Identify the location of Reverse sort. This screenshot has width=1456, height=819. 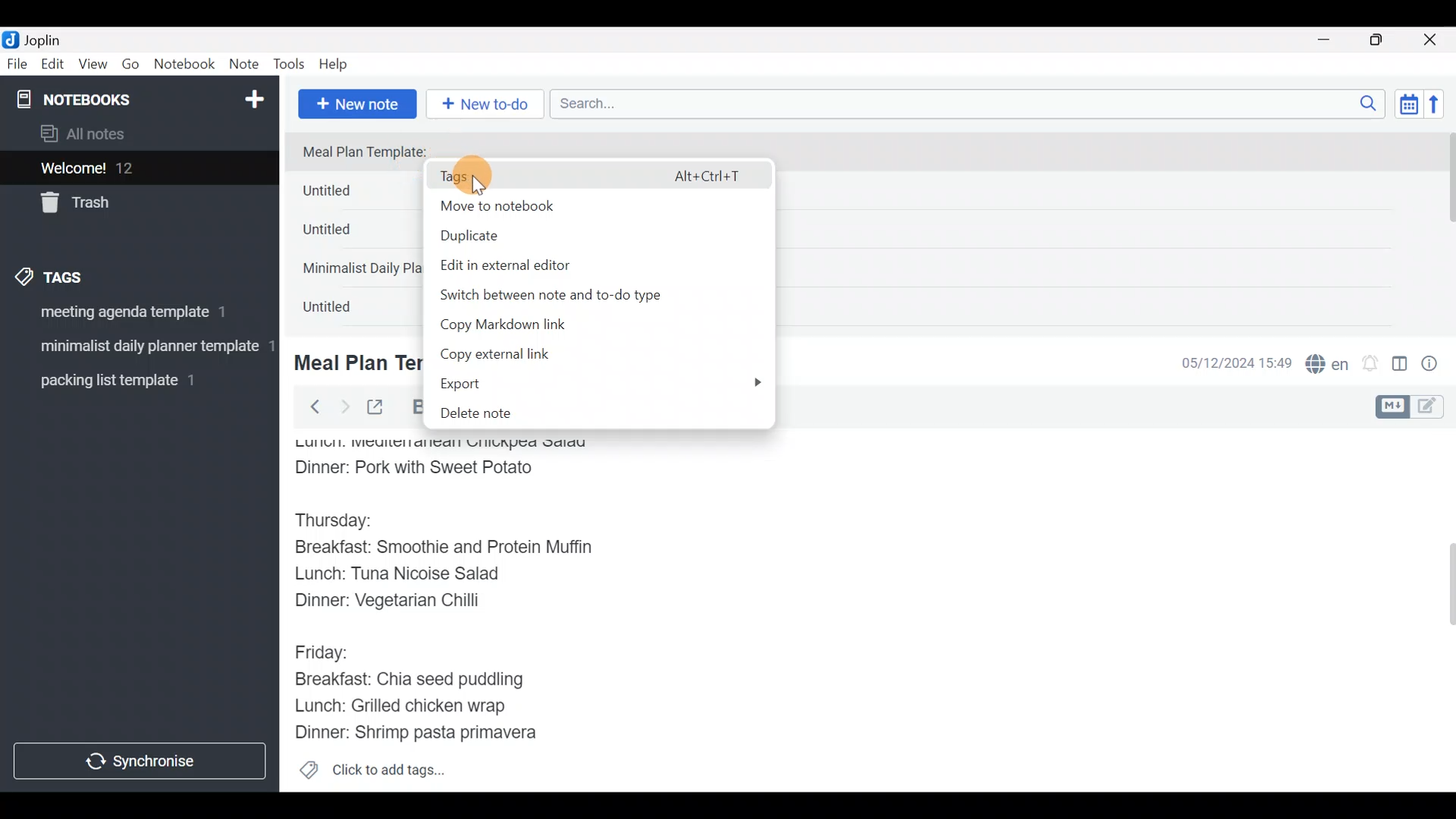
(1442, 108).